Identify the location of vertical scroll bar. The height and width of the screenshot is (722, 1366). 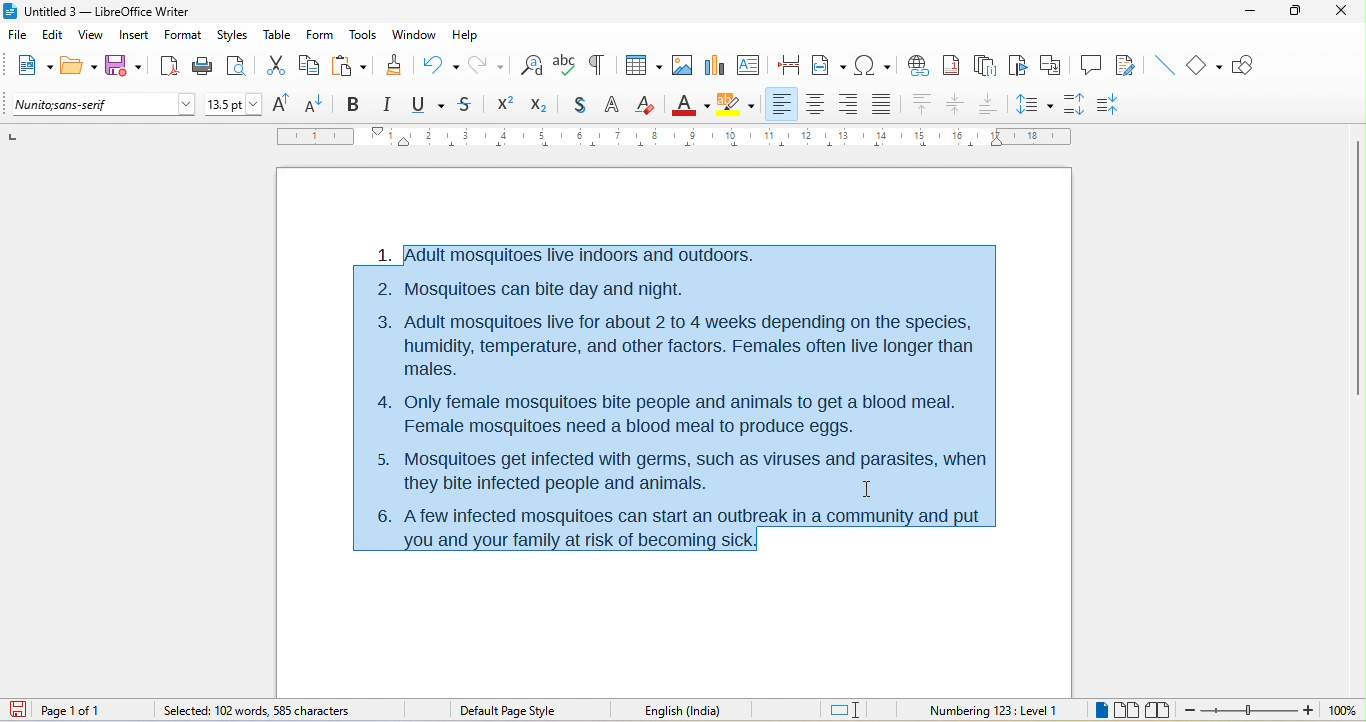
(1357, 266).